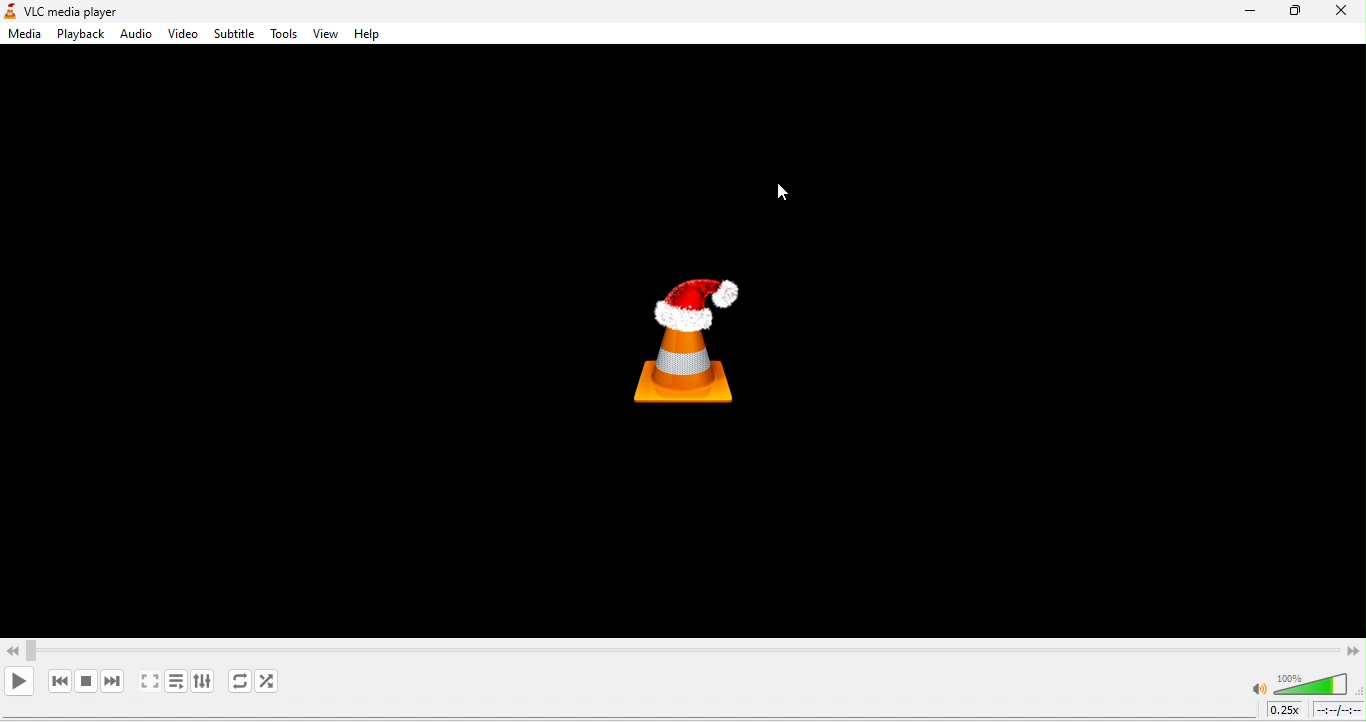  What do you see at coordinates (79, 12) in the screenshot?
I see `vlc media player` at bounding box center [79, 12].